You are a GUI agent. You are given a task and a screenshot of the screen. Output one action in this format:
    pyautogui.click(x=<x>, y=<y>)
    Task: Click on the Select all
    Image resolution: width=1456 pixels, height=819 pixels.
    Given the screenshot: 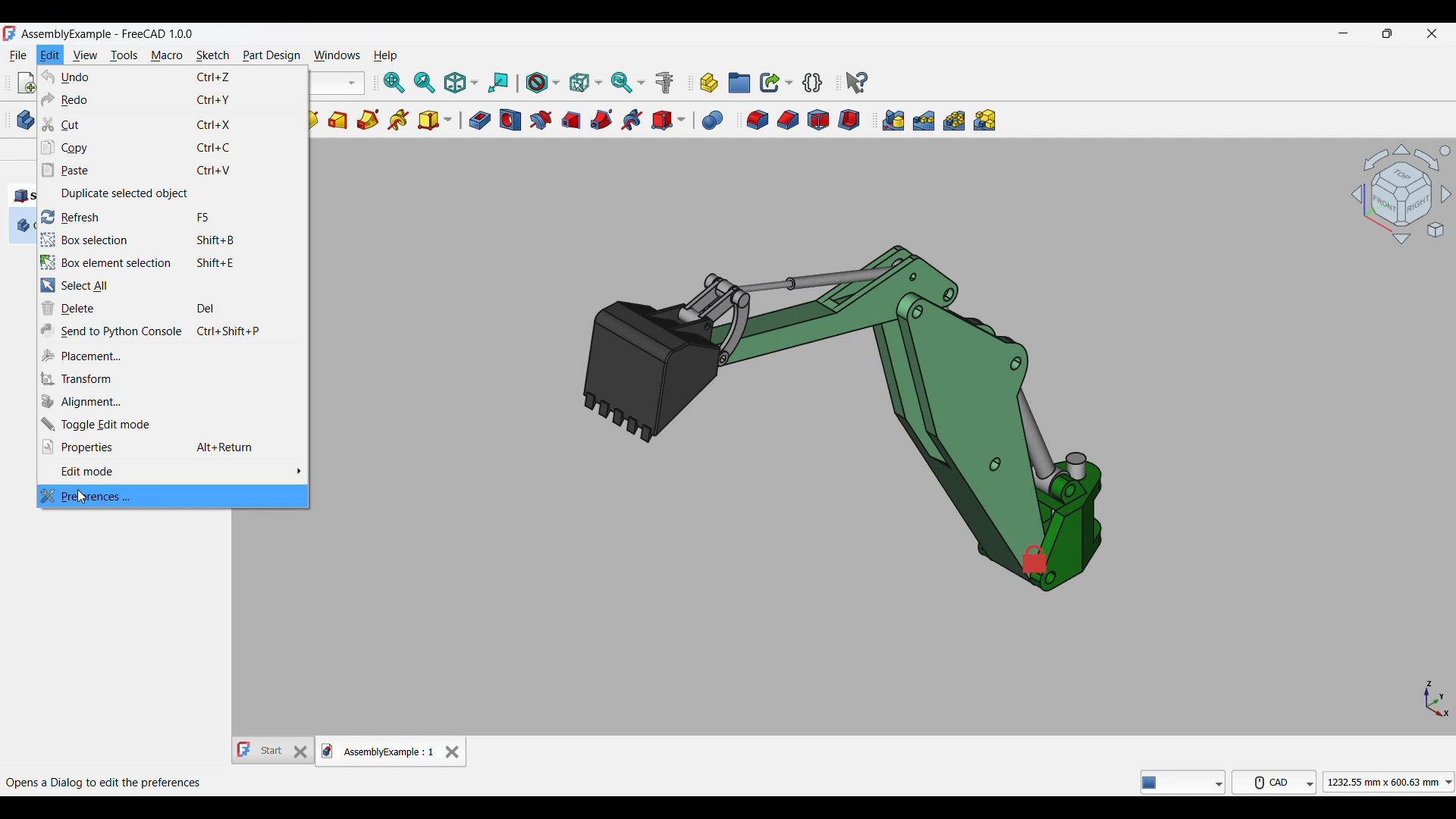 What is the action you would take?
    pyautogui.click(x=172, y=286)
    